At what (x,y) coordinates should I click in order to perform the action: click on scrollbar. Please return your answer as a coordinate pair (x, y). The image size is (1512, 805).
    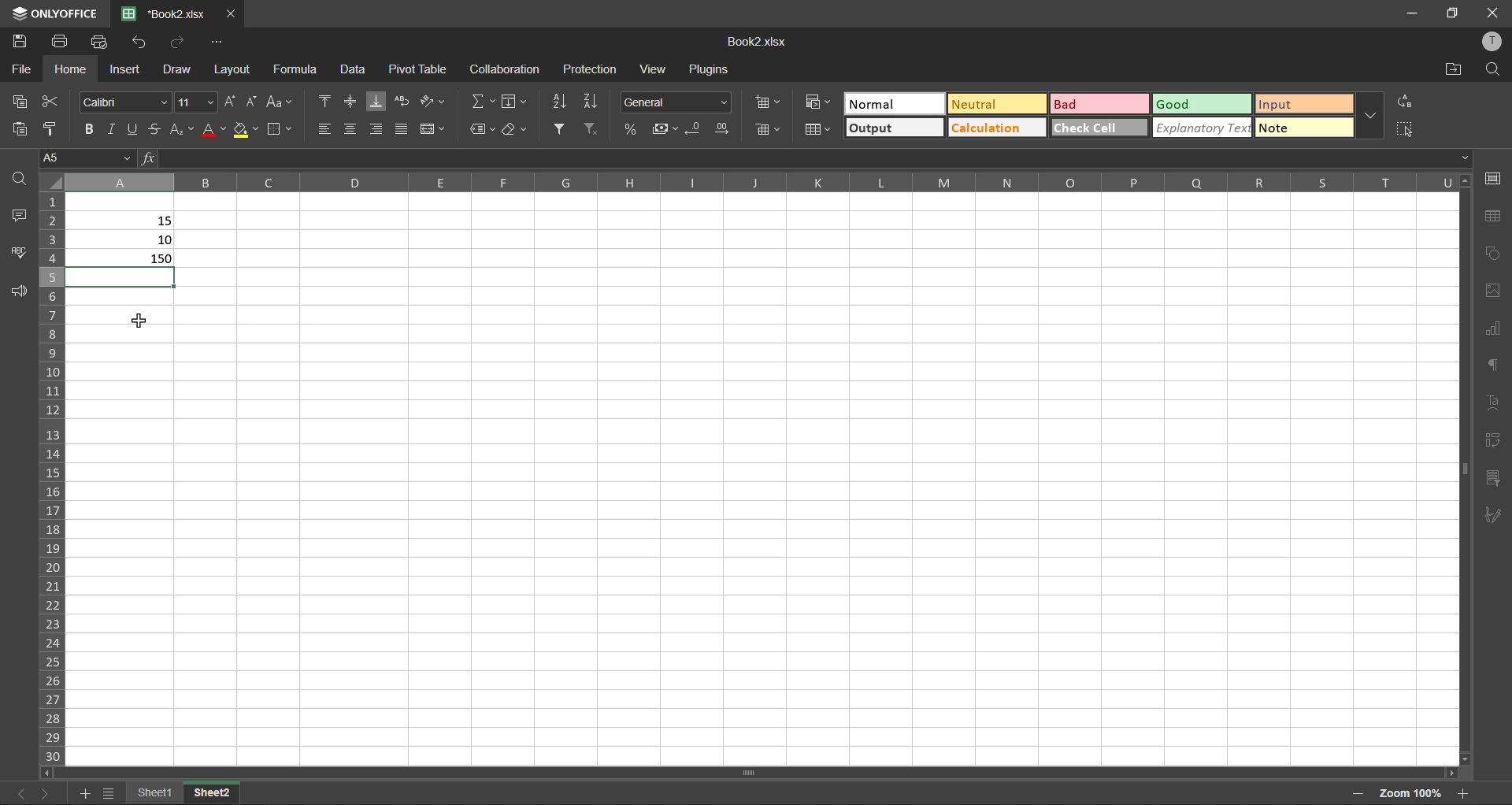
    Looking at the image, I should click on (1464, 466).